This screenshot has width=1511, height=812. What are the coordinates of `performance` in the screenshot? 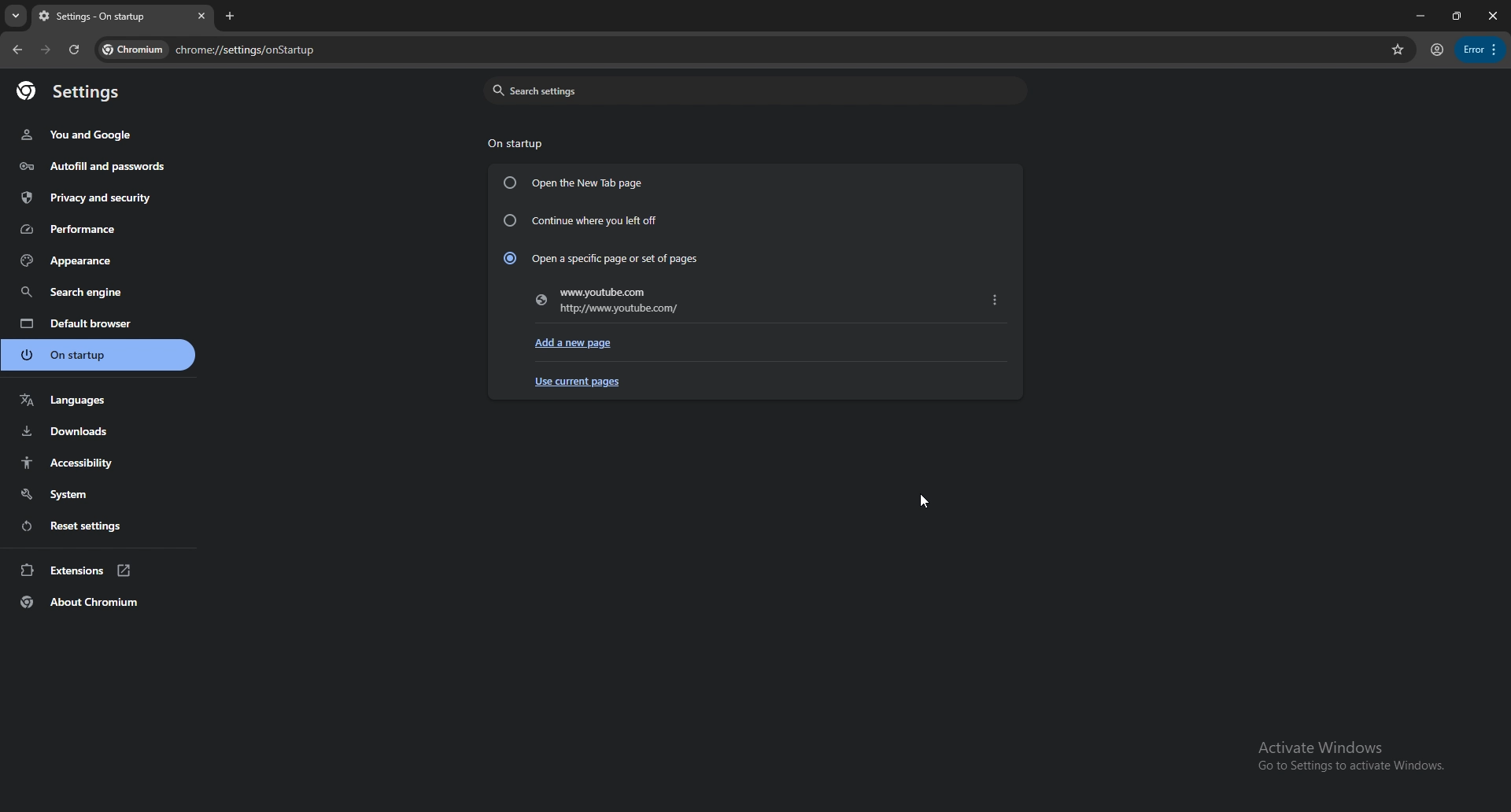 It's located at (92, 228).